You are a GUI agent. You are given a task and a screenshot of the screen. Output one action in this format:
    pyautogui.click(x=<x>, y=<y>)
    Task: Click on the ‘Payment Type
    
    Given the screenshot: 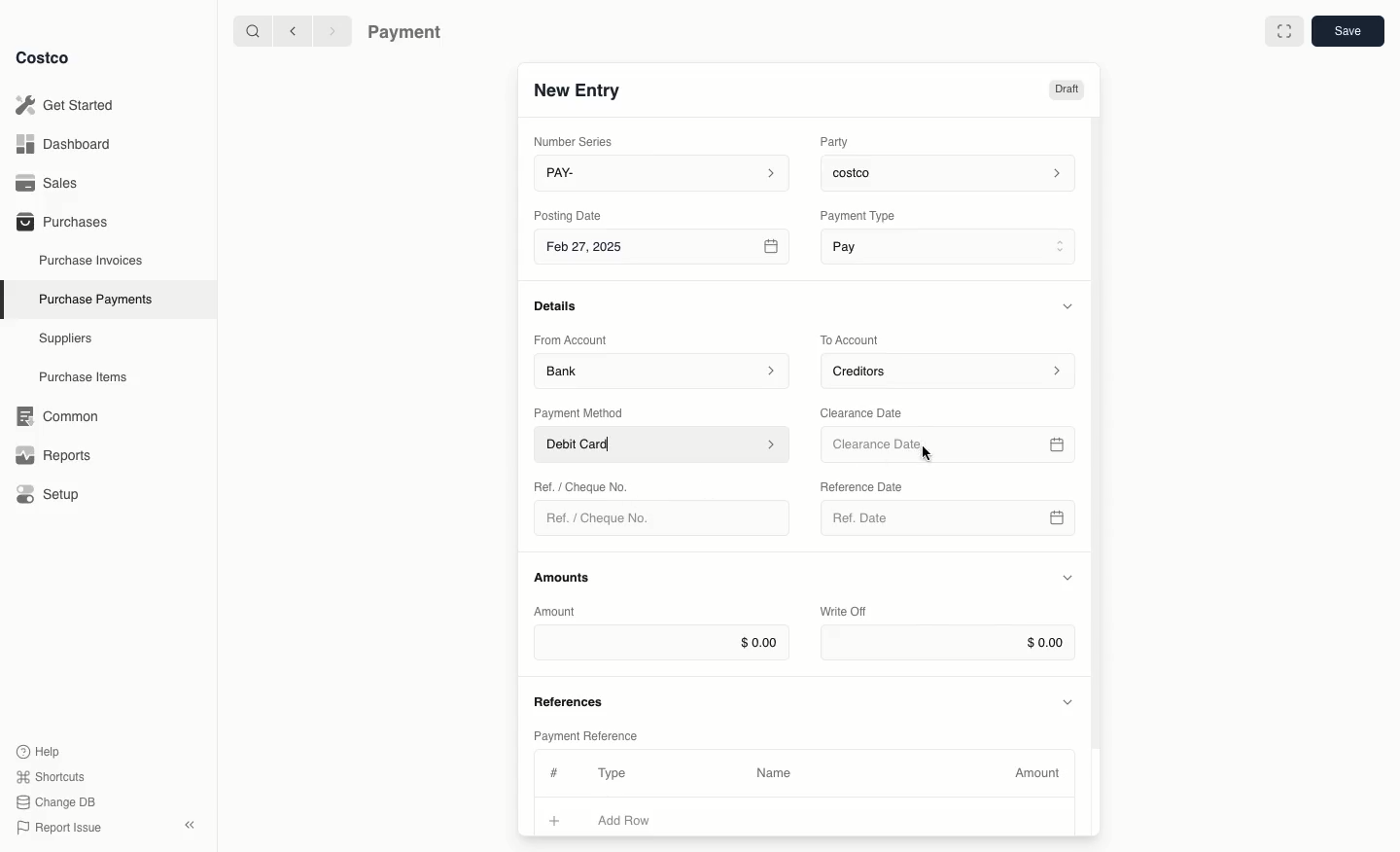 What is the action you would take?
    pyautogui.click(x=857, y=215)
    